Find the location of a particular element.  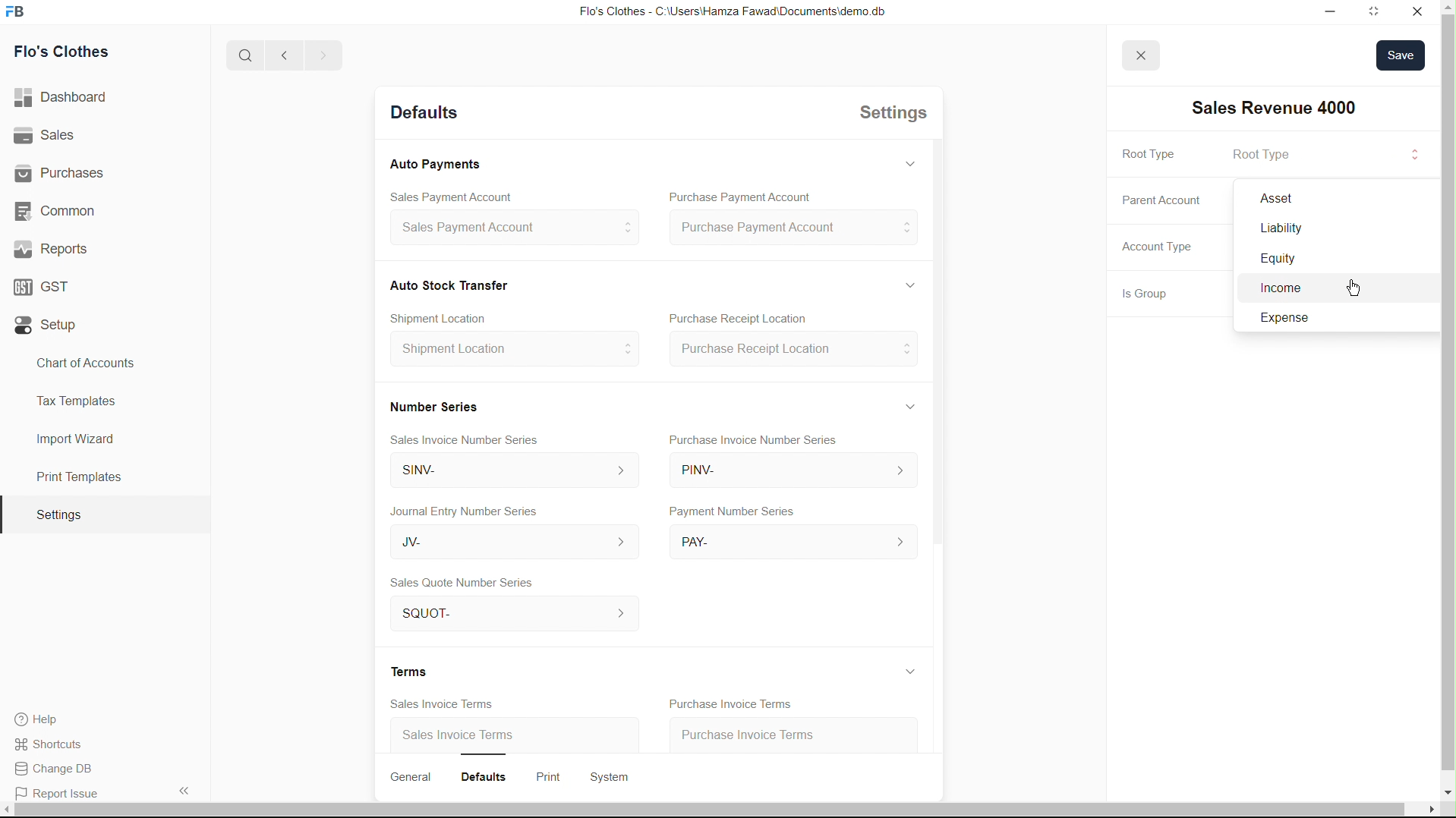

Number Series is located at coordinates (440, 404).